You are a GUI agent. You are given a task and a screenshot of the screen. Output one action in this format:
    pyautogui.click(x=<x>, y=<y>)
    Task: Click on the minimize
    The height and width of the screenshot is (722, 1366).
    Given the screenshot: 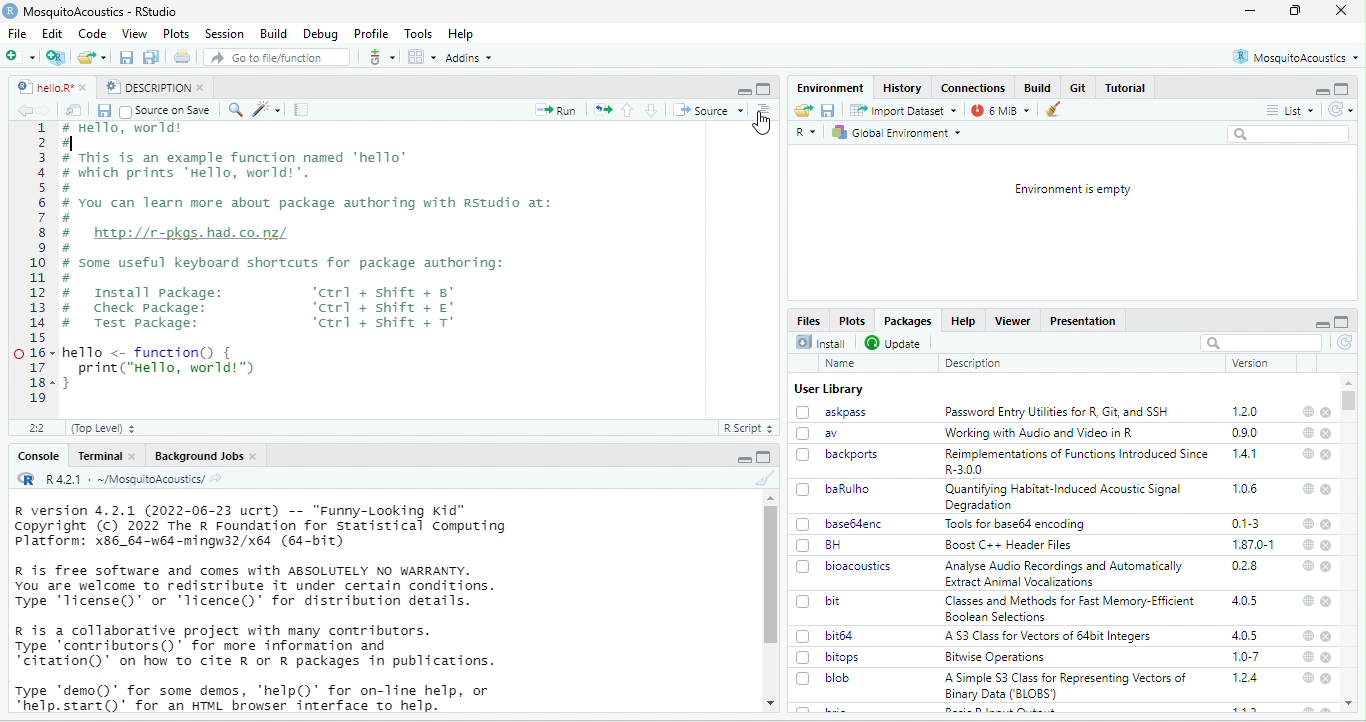 What is the action you would take?
    pyautogui.click(x=1250, y=10)
    